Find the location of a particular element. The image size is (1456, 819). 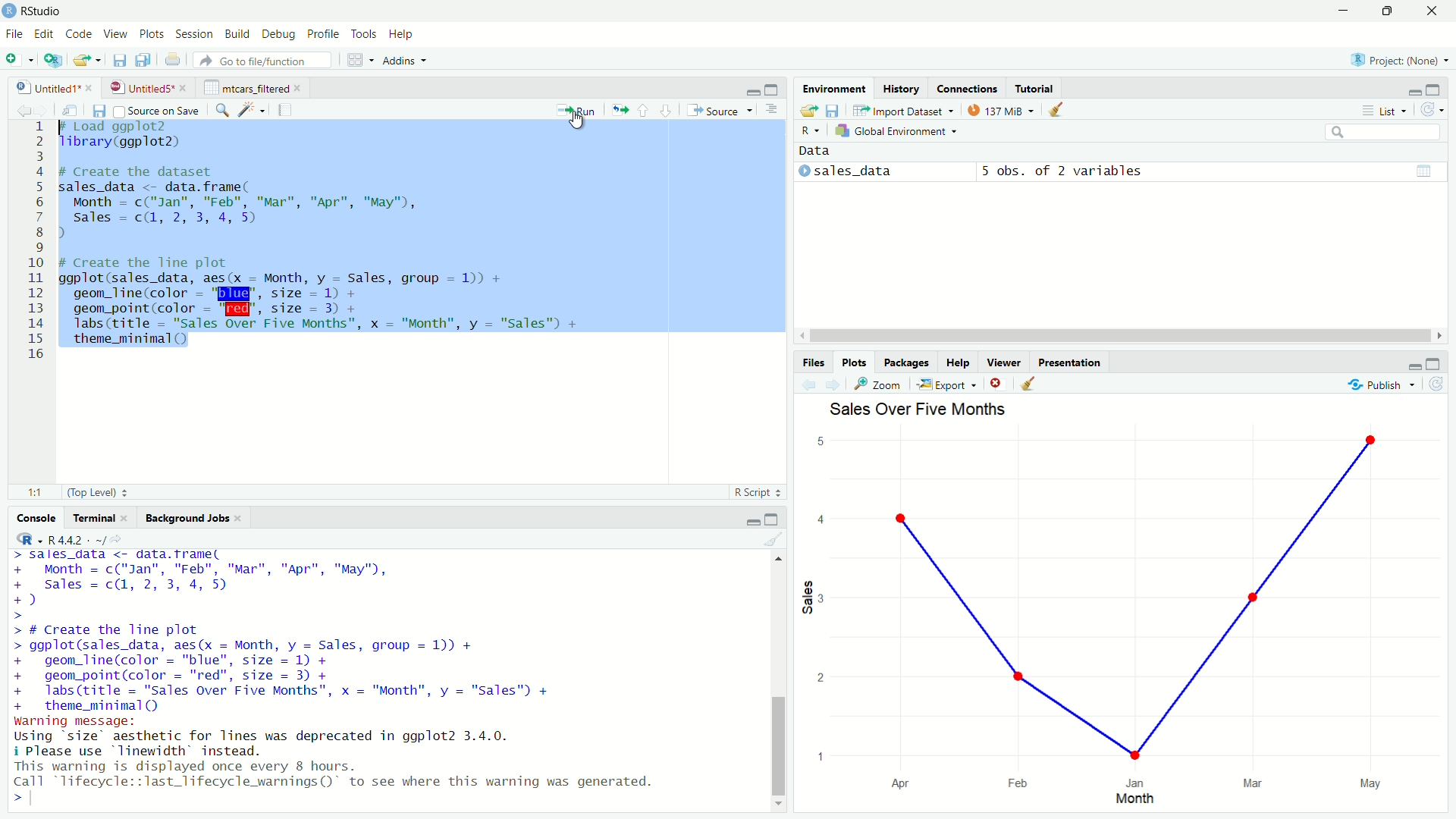

R is located at coordinates (30, 538).